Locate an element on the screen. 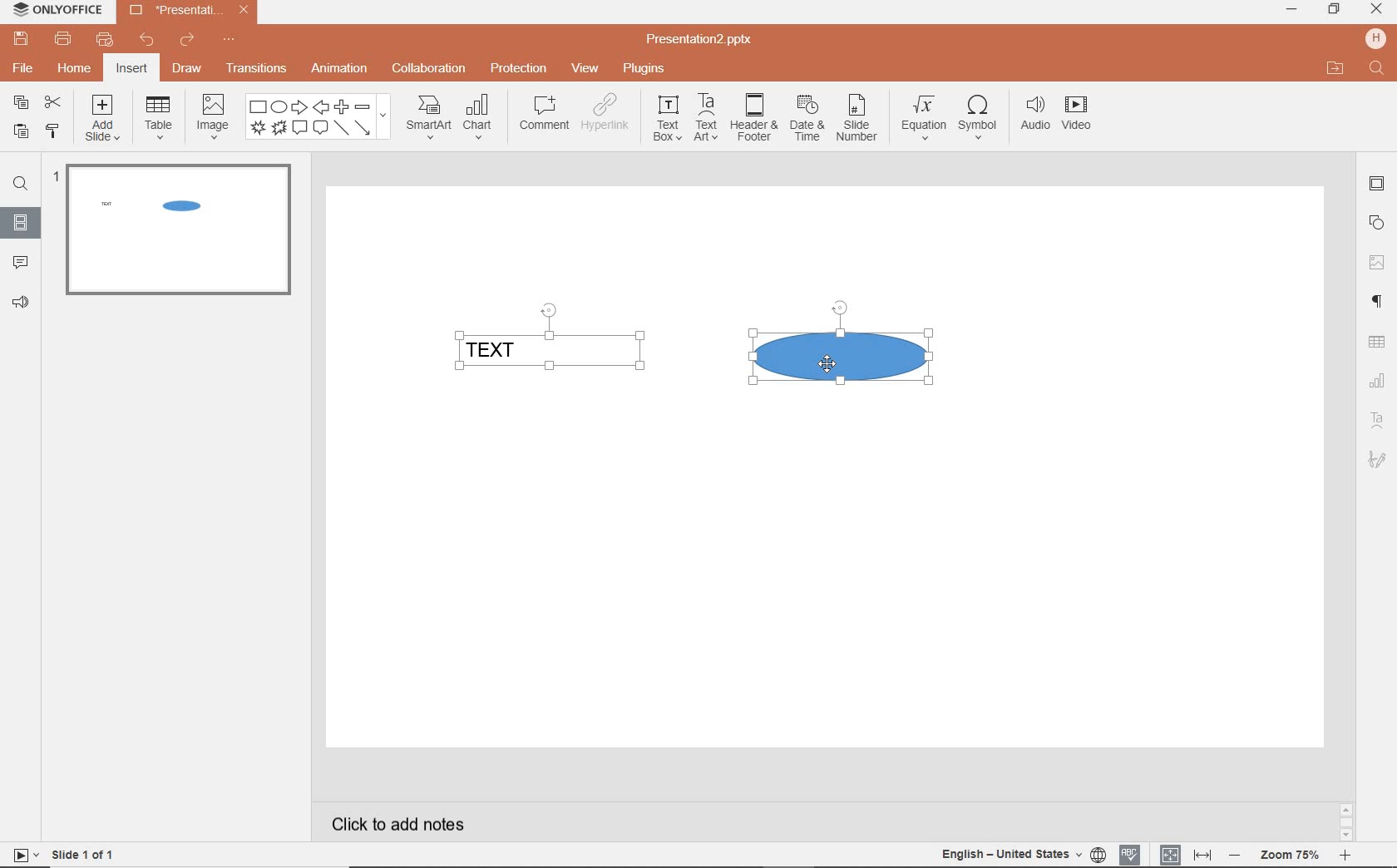 The width and height of the screenshot is (1397, 868). undo is located at coordinates (141, 41).